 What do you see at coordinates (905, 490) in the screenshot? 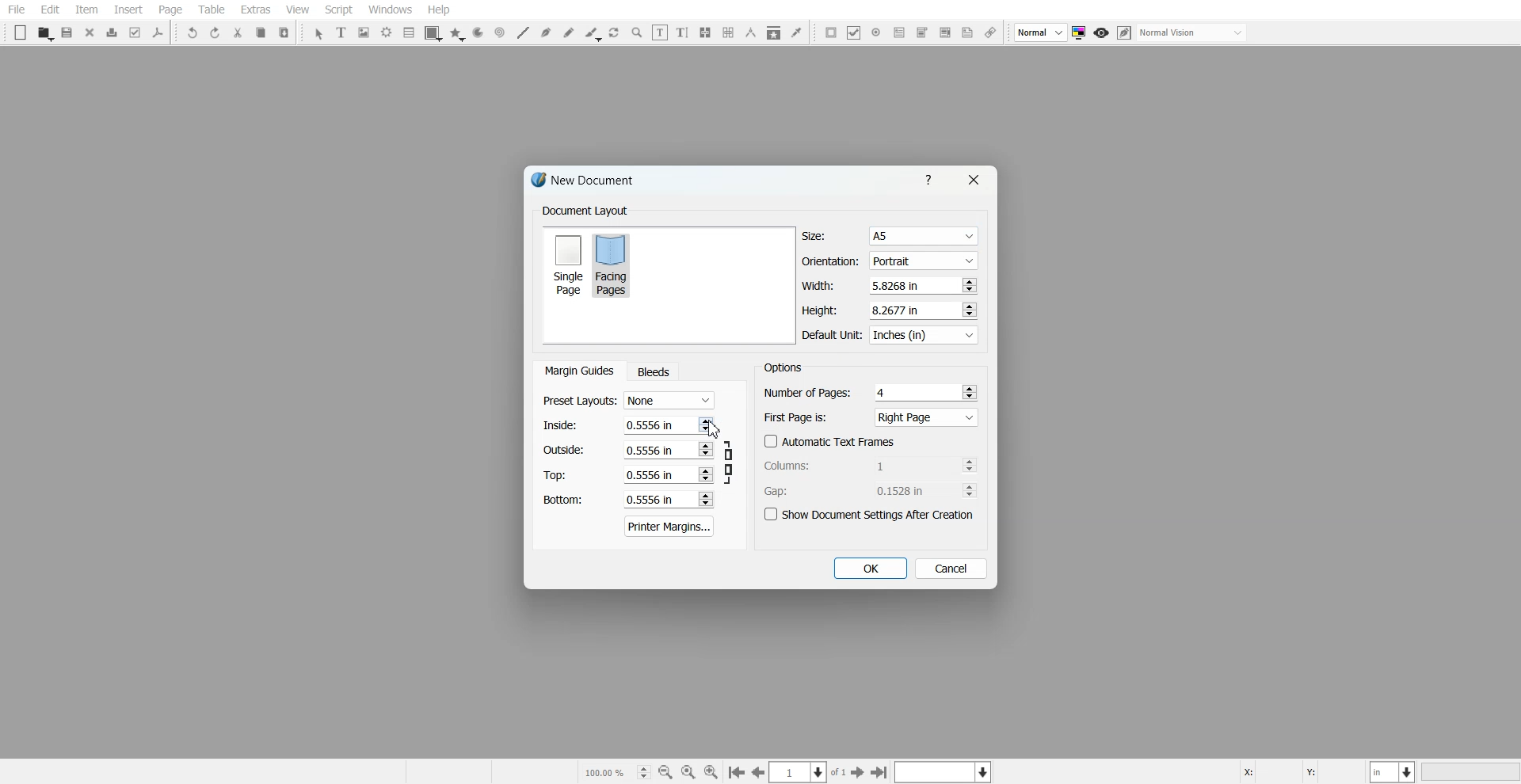
I see `0.1528 in` at bounding box center [905, 490].